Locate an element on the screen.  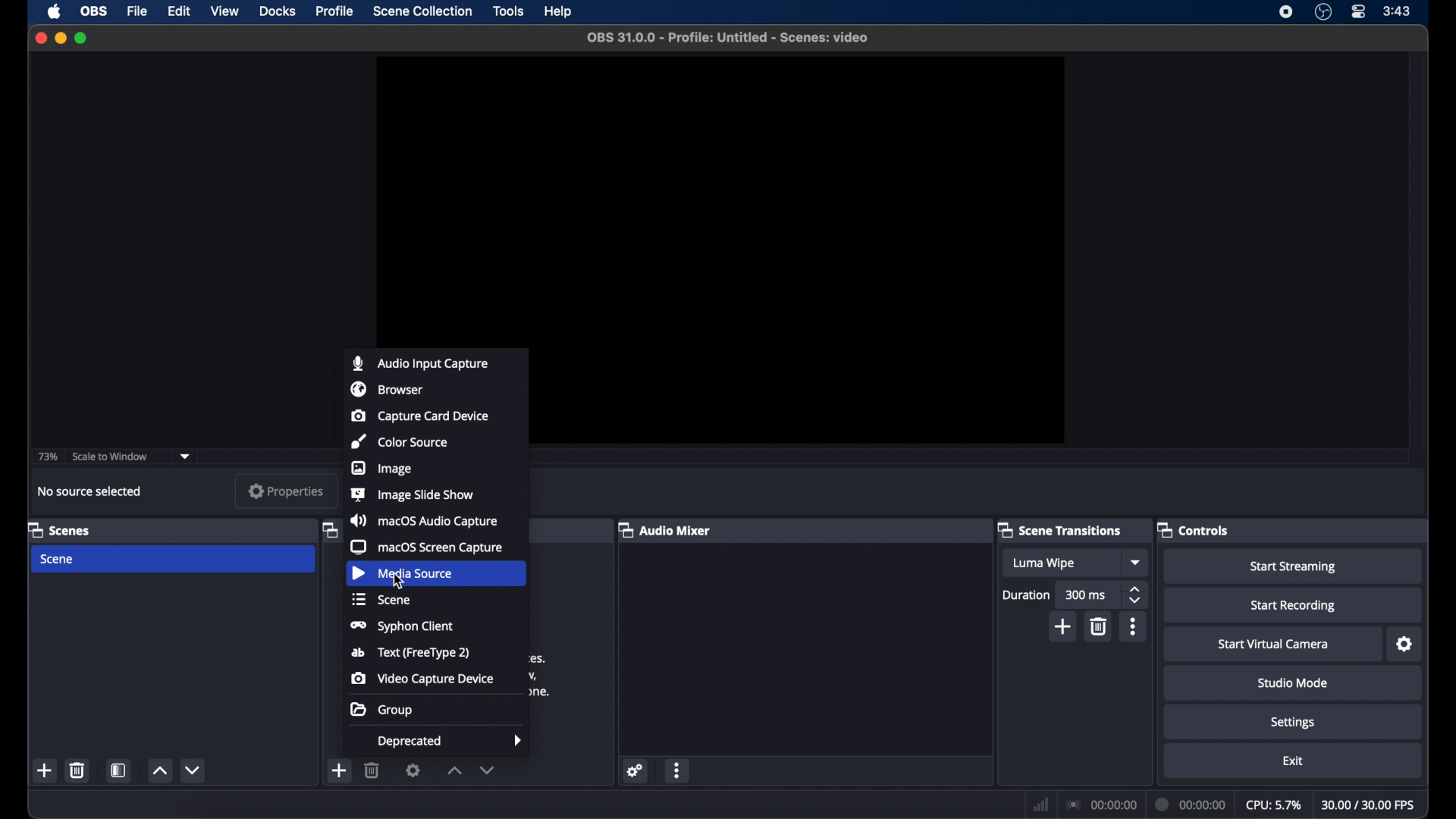
duration is located at coordinates (1027, 596).